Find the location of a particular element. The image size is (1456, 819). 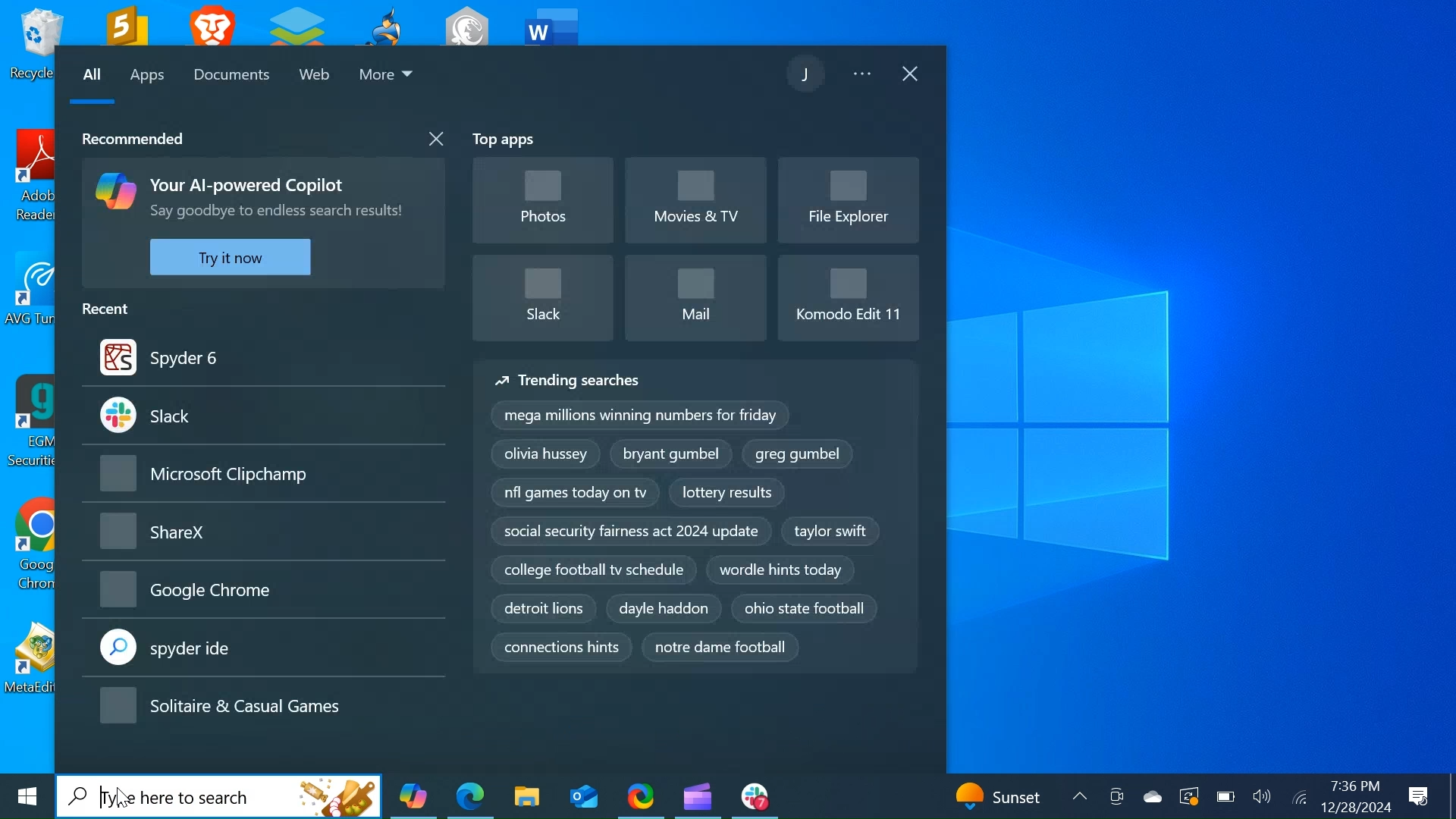

Restart Update is located at coordinates (1188, 797).